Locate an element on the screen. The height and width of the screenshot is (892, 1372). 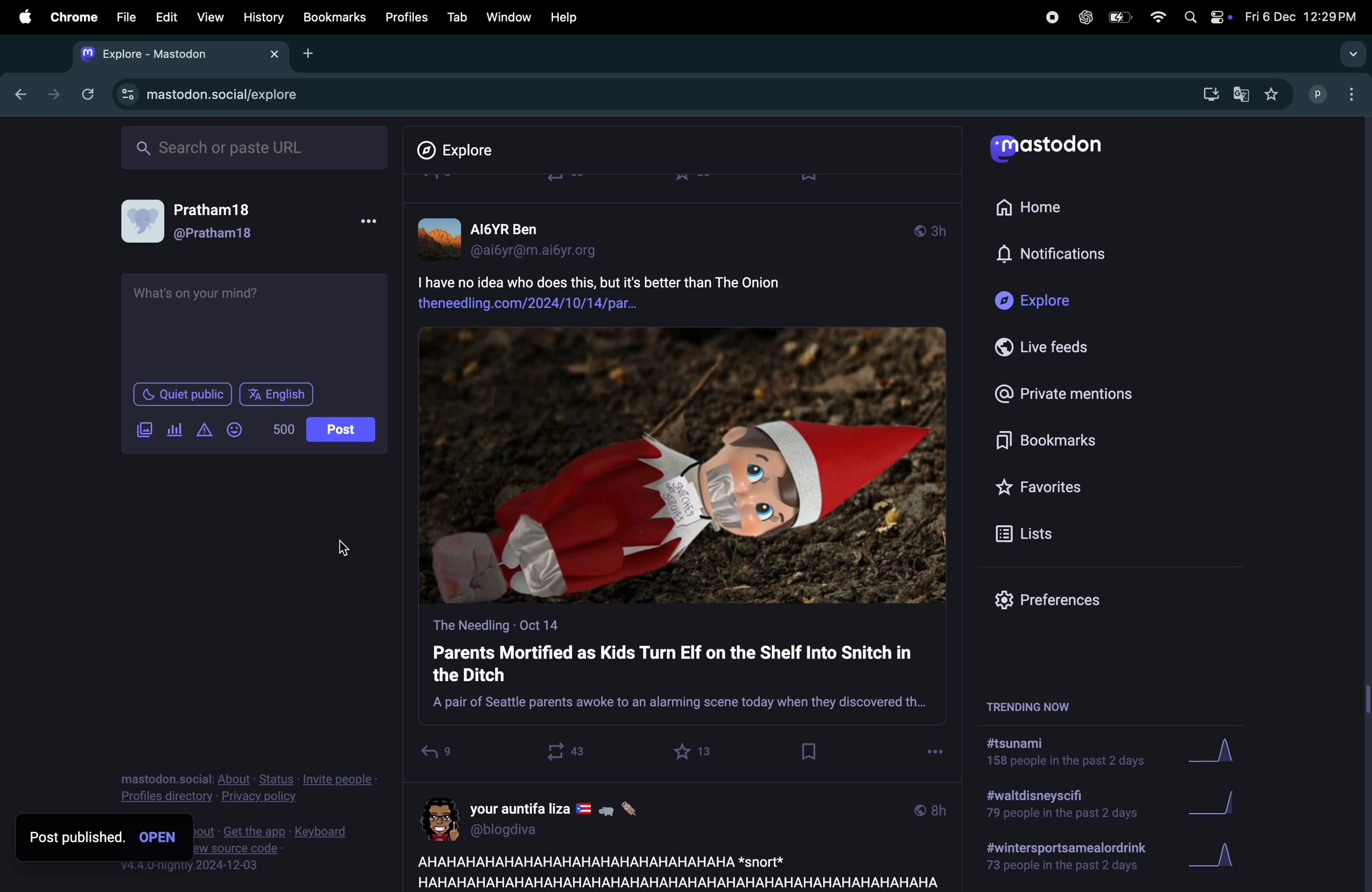
time ago is located at coordinates (930, 229).